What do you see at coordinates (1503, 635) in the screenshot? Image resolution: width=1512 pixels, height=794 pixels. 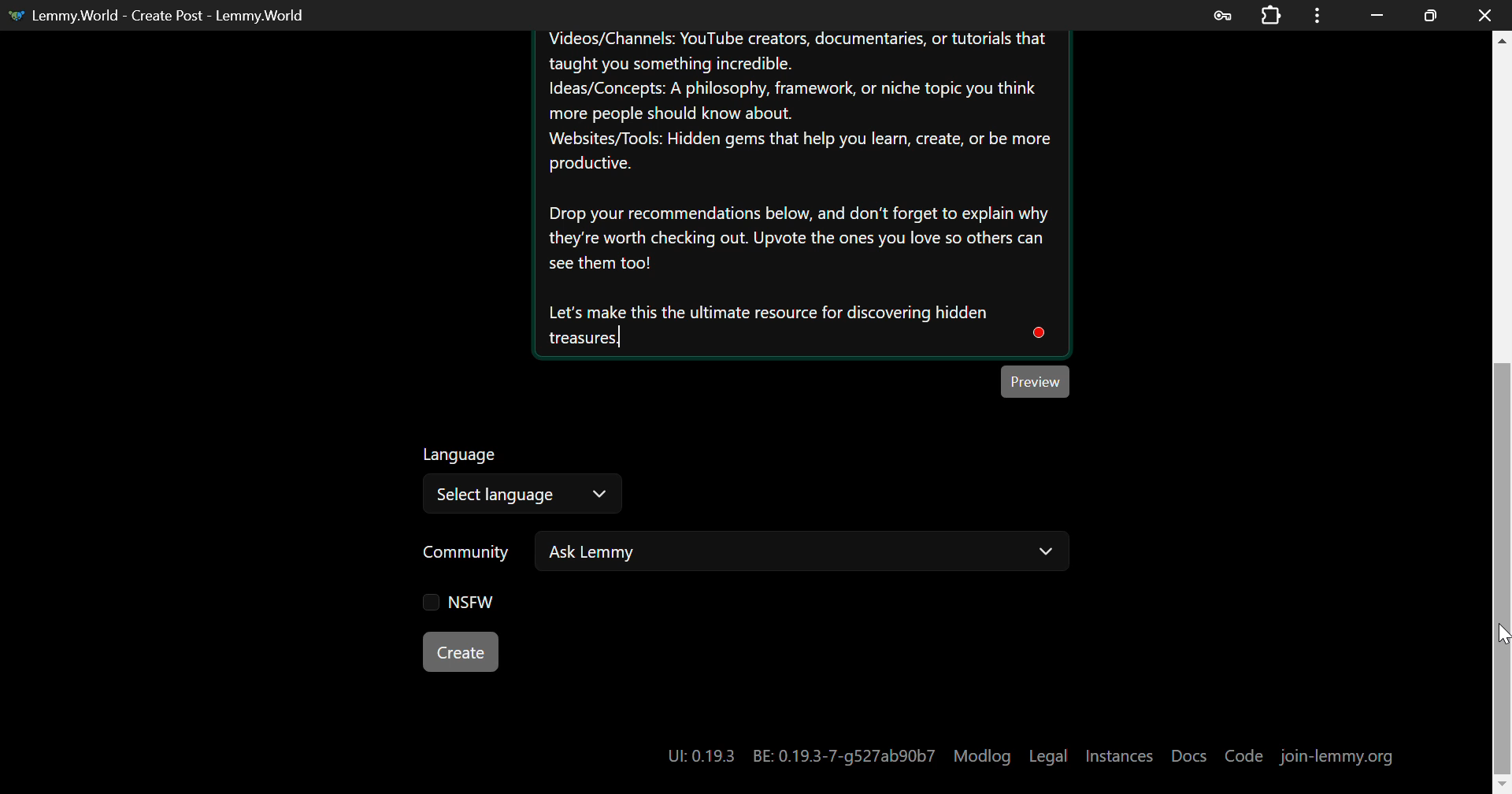 I see `MOUSE_UP Cursor Position` at bounding box center [1503, 635].